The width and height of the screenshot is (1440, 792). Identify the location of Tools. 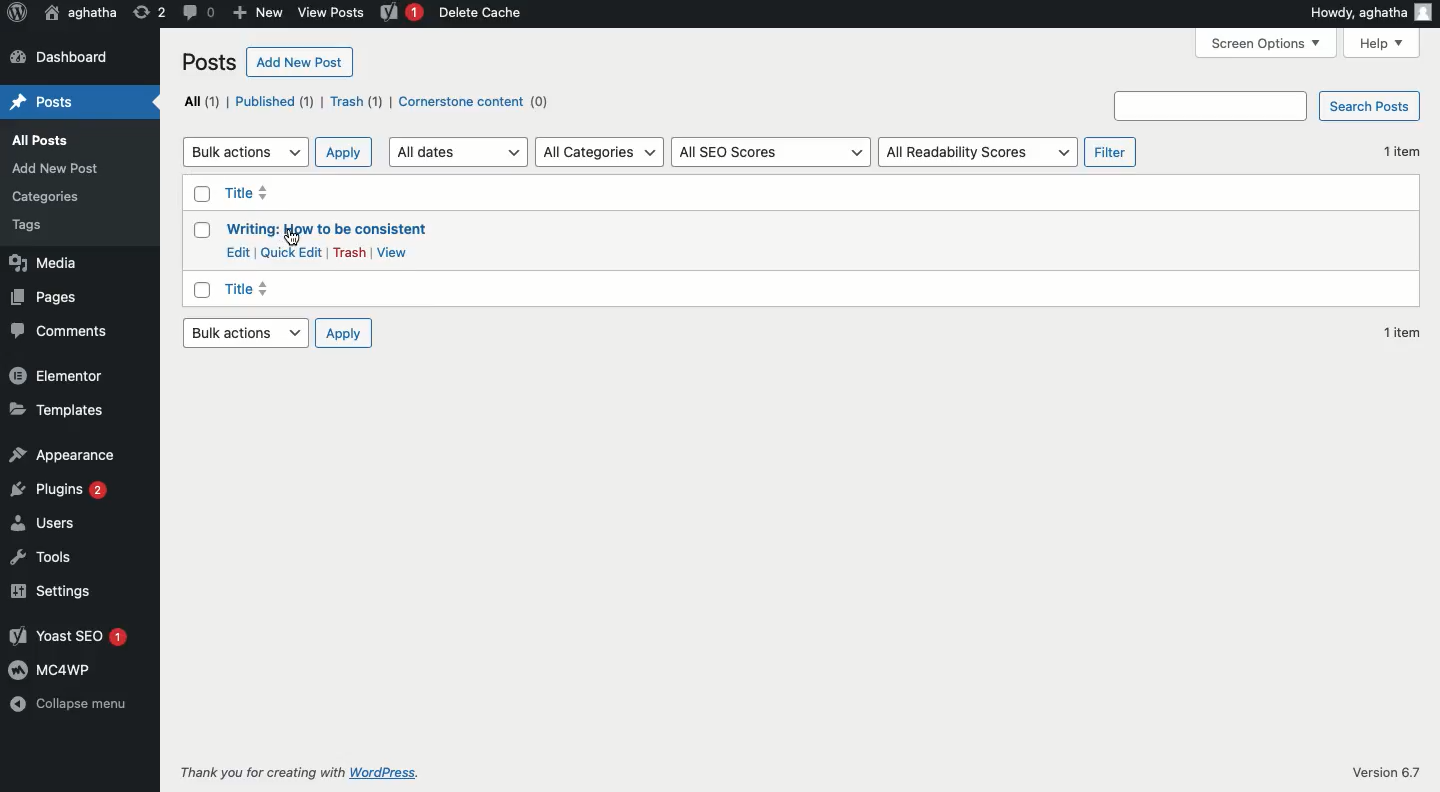
(53, 557).